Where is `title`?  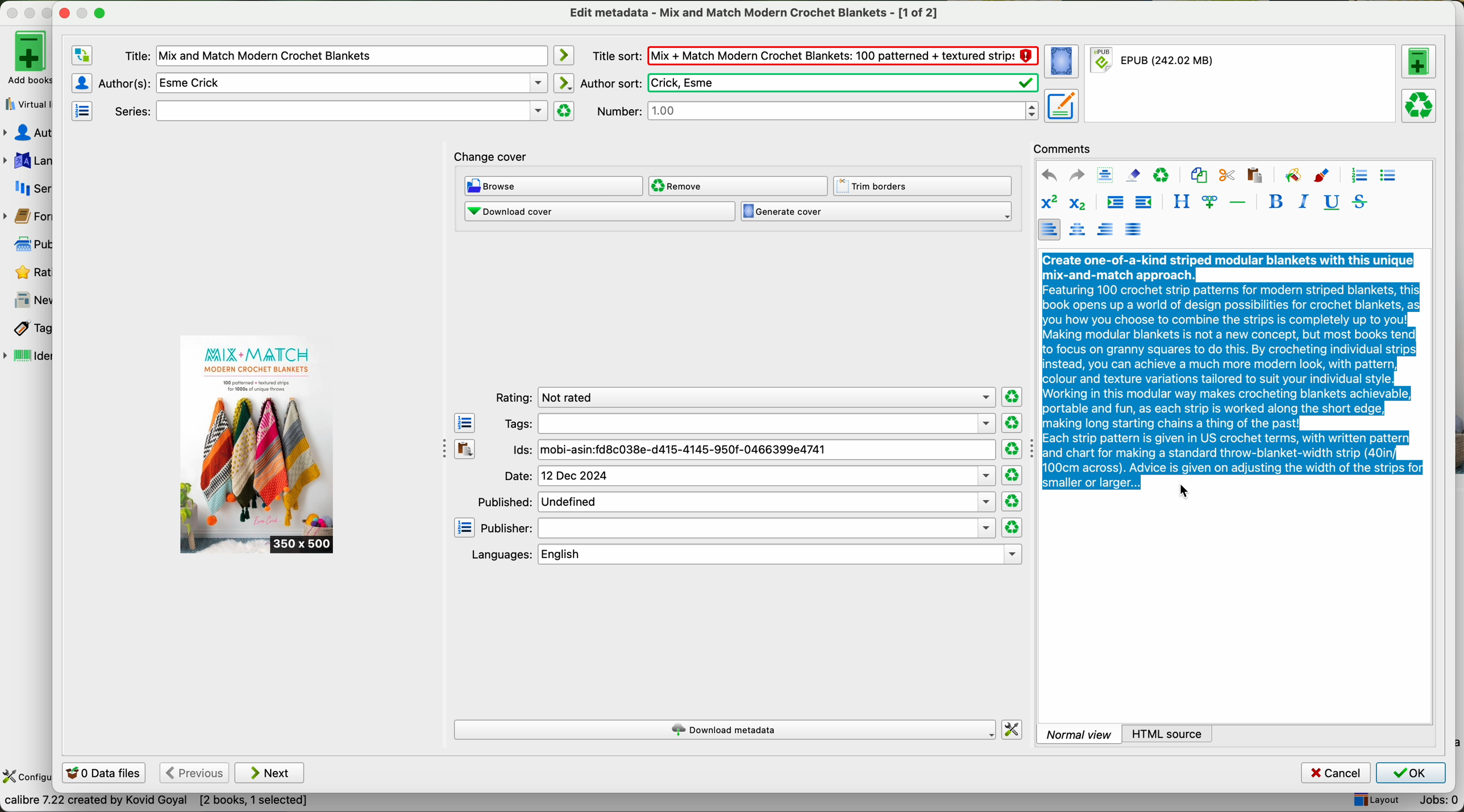
title is located at coordinates (335, 56).